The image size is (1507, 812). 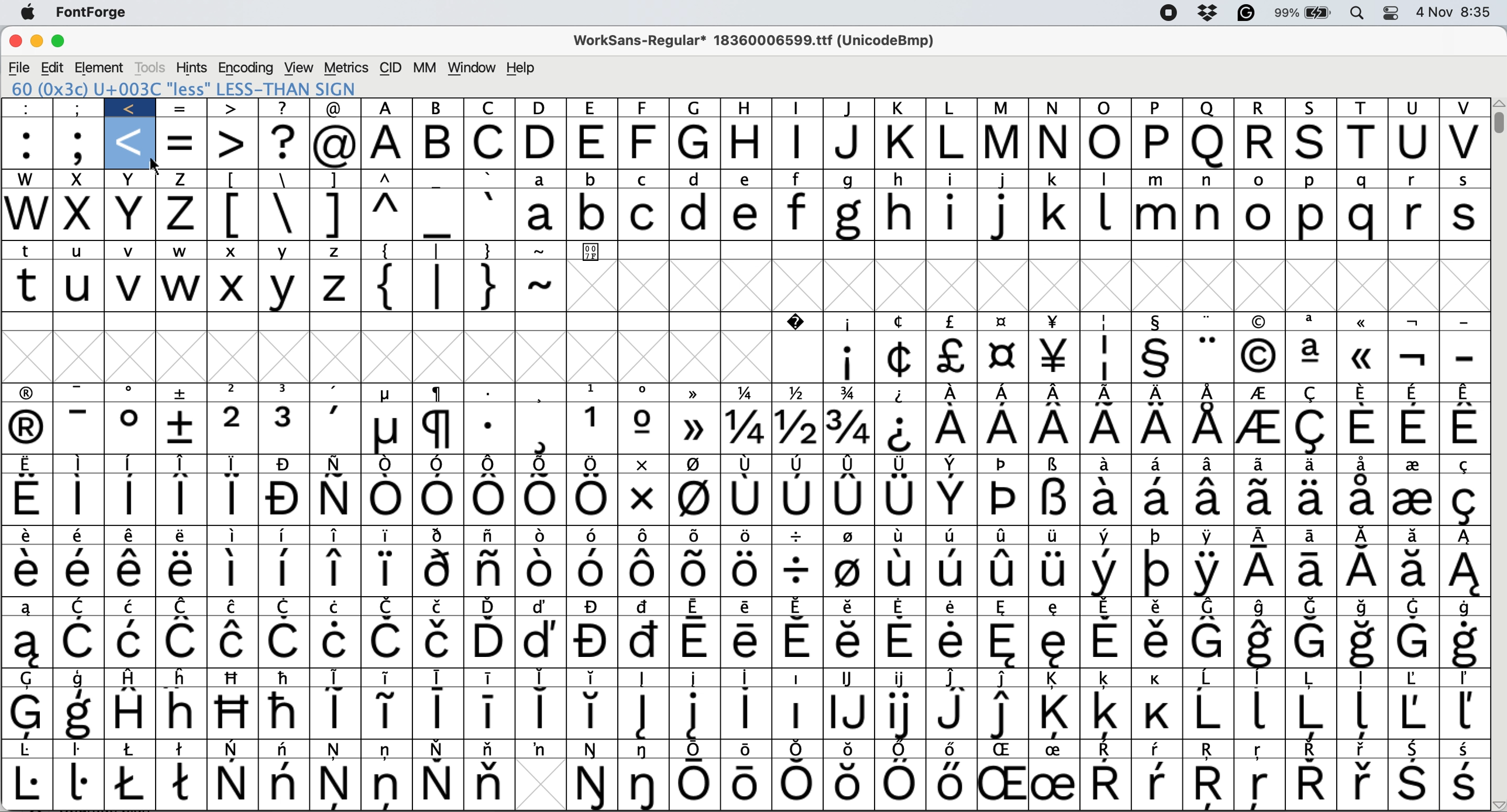 What do you see at coordinates (592, 534) in the screenshot?
I see `Symbol` at bounding box center [592, 534].